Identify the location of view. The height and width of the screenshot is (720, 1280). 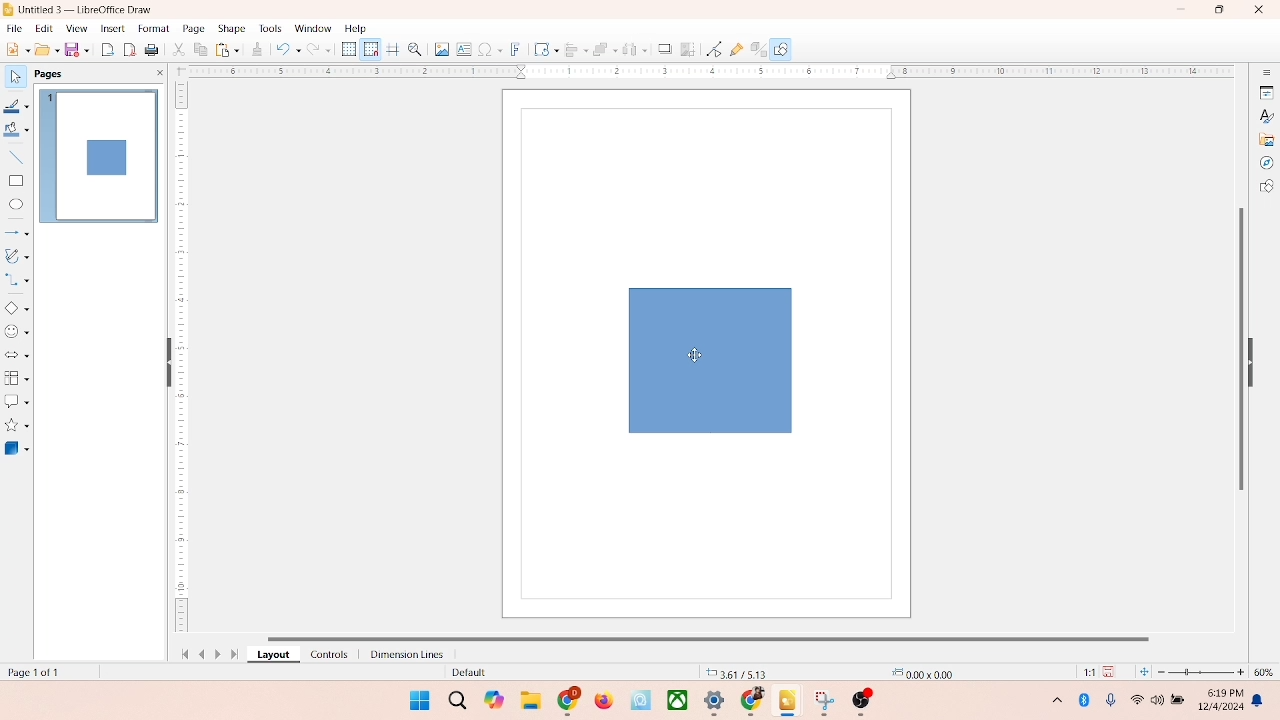
(72, 28).